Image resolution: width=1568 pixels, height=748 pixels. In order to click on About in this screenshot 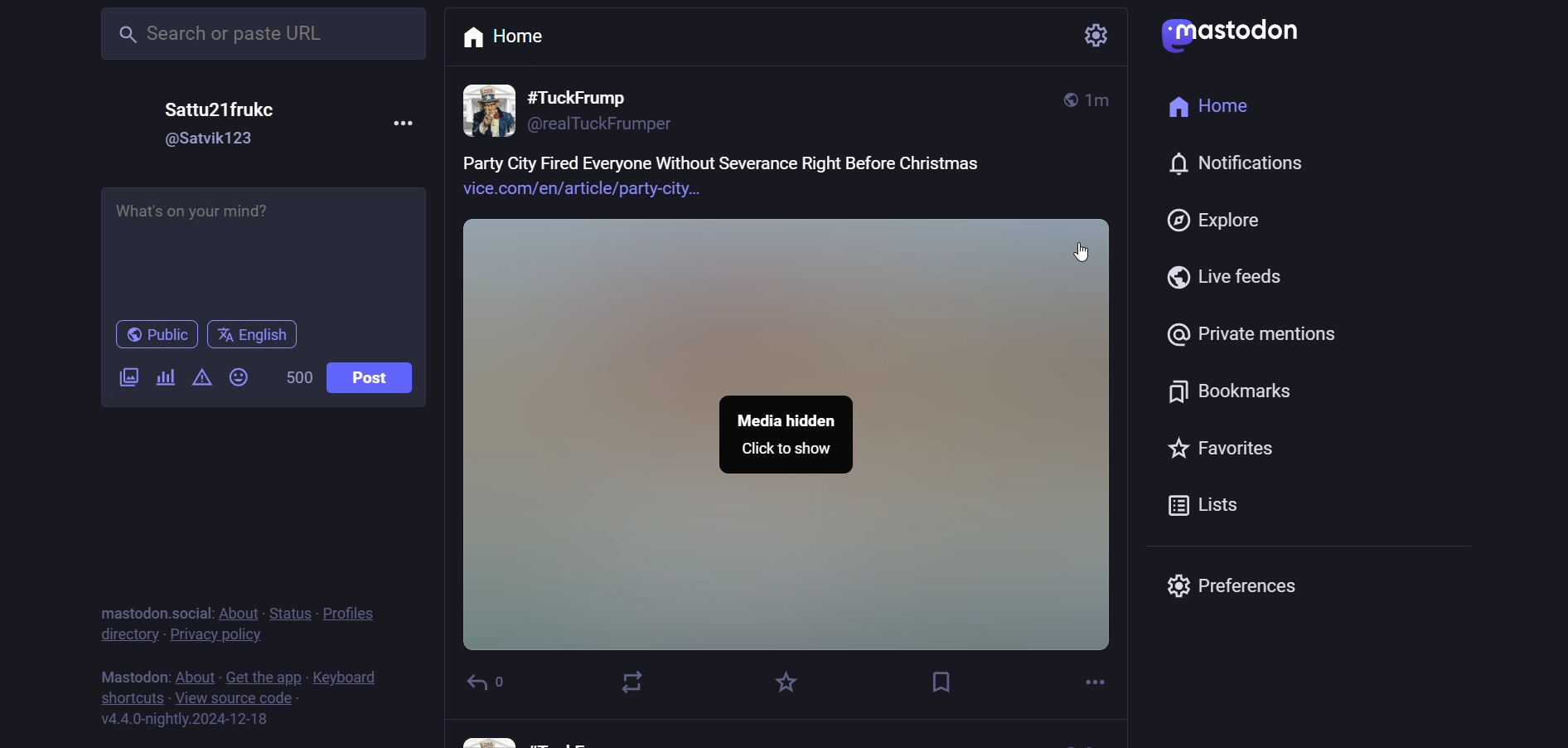, I will do `click(237, 610)`.